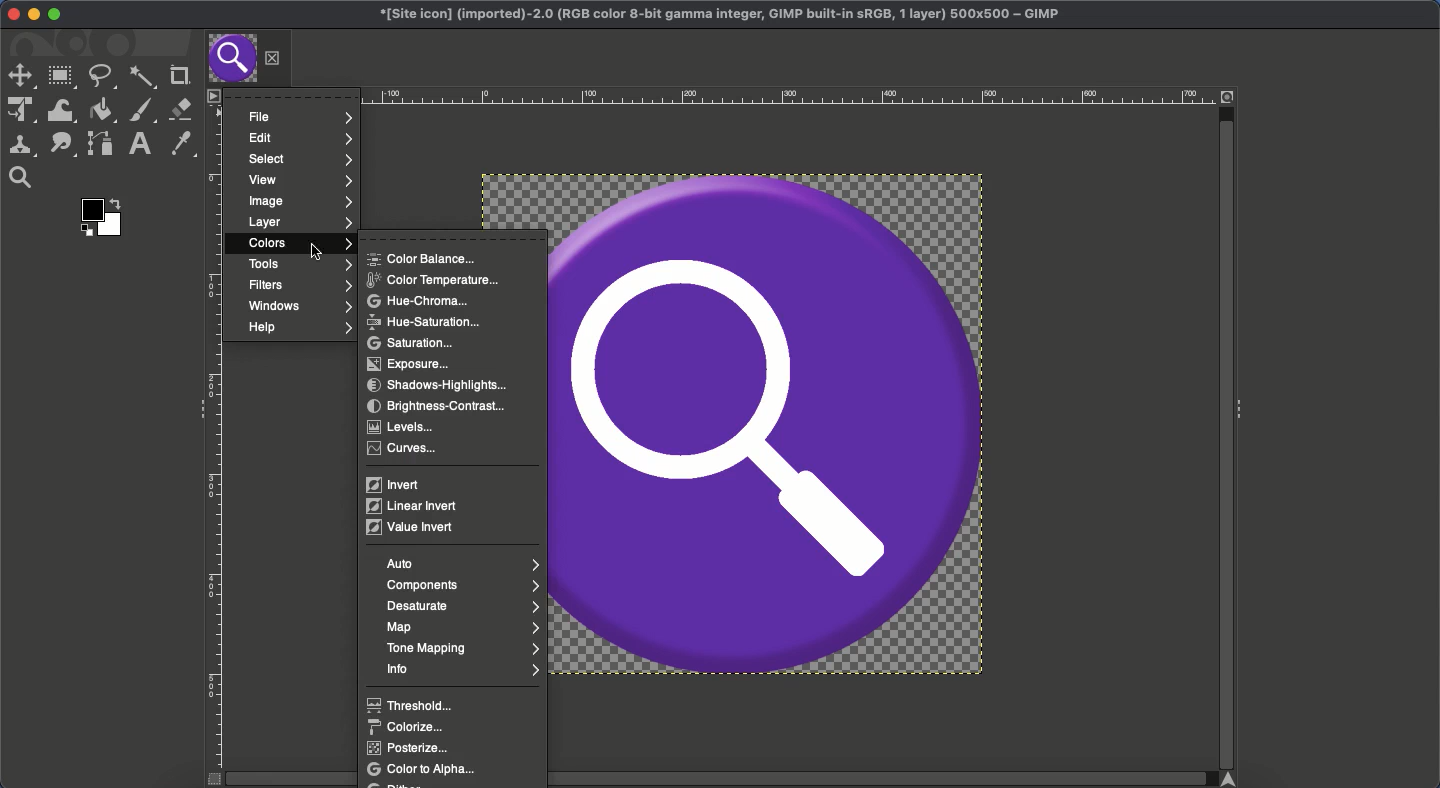  I want to click on Color to alpha, so click(427, 769).